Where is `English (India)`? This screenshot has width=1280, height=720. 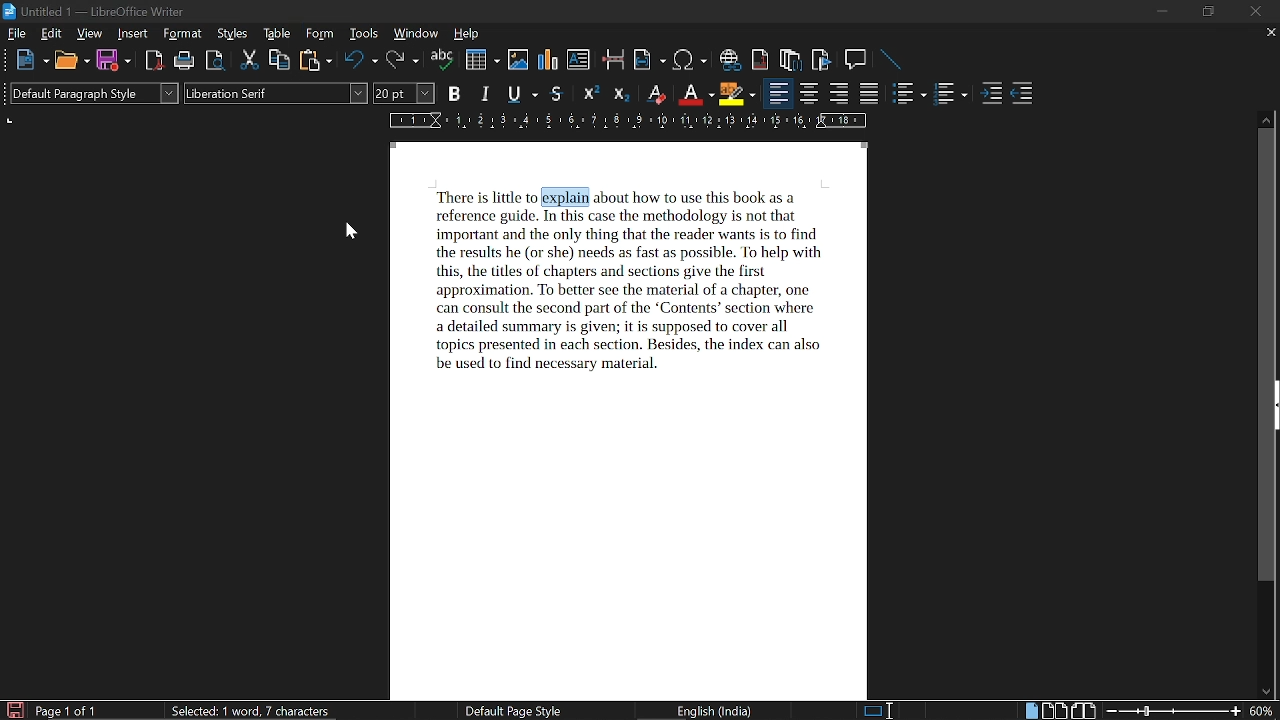 English (India) is located at coordinates (718, 710).